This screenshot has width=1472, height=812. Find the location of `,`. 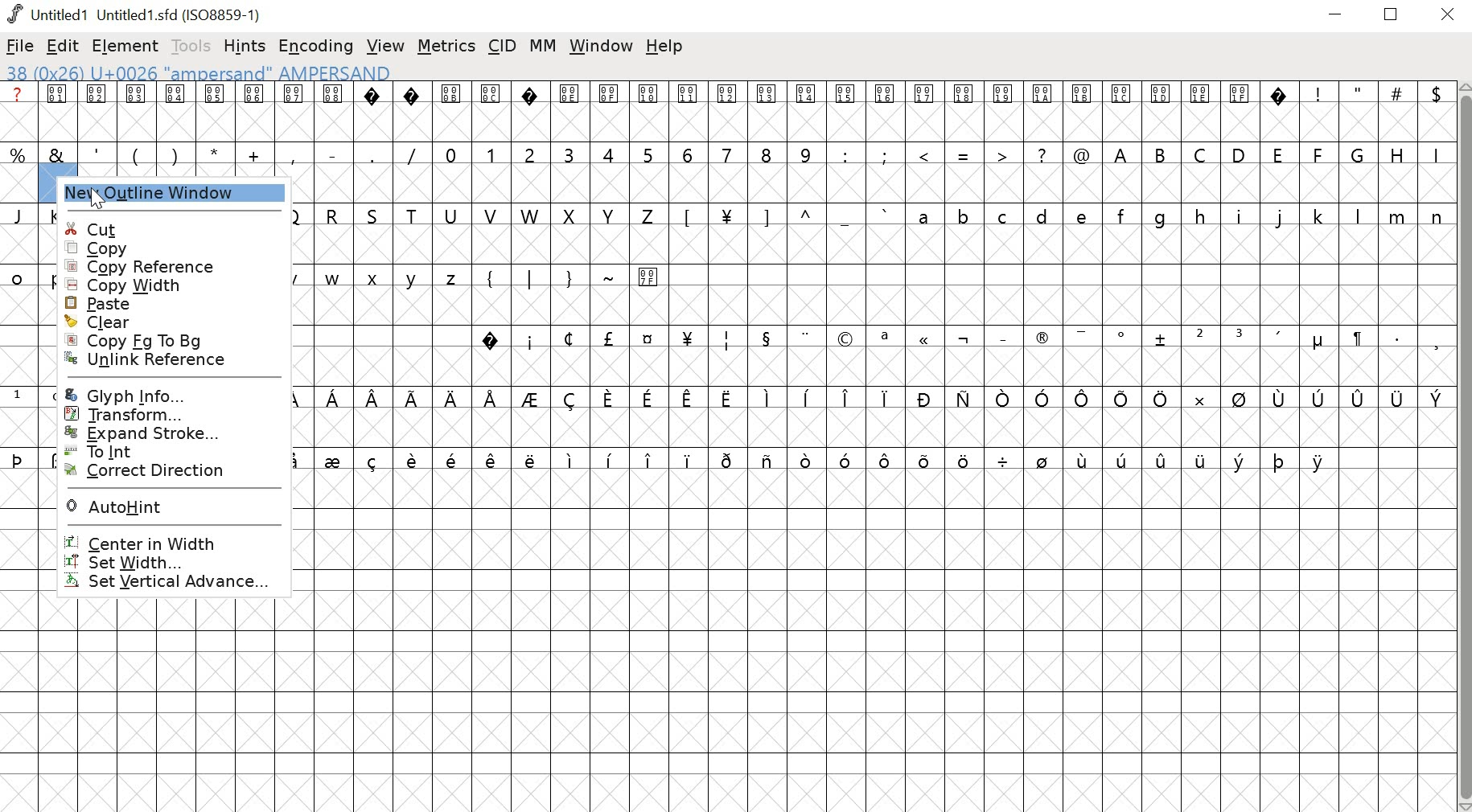

, is located at coordinates (1436, 342).